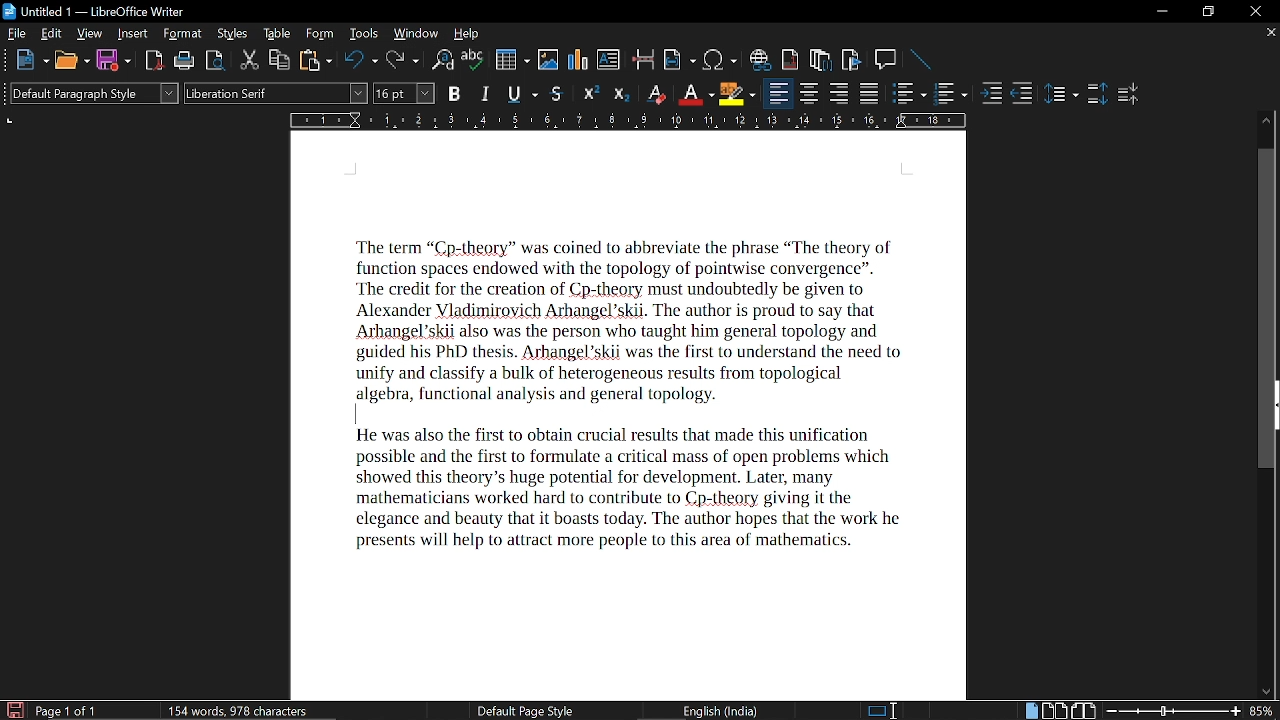  What do you see at coordinates (694, 94) in the screenshot?
I see `Underline` at bounding box center [694, 94].